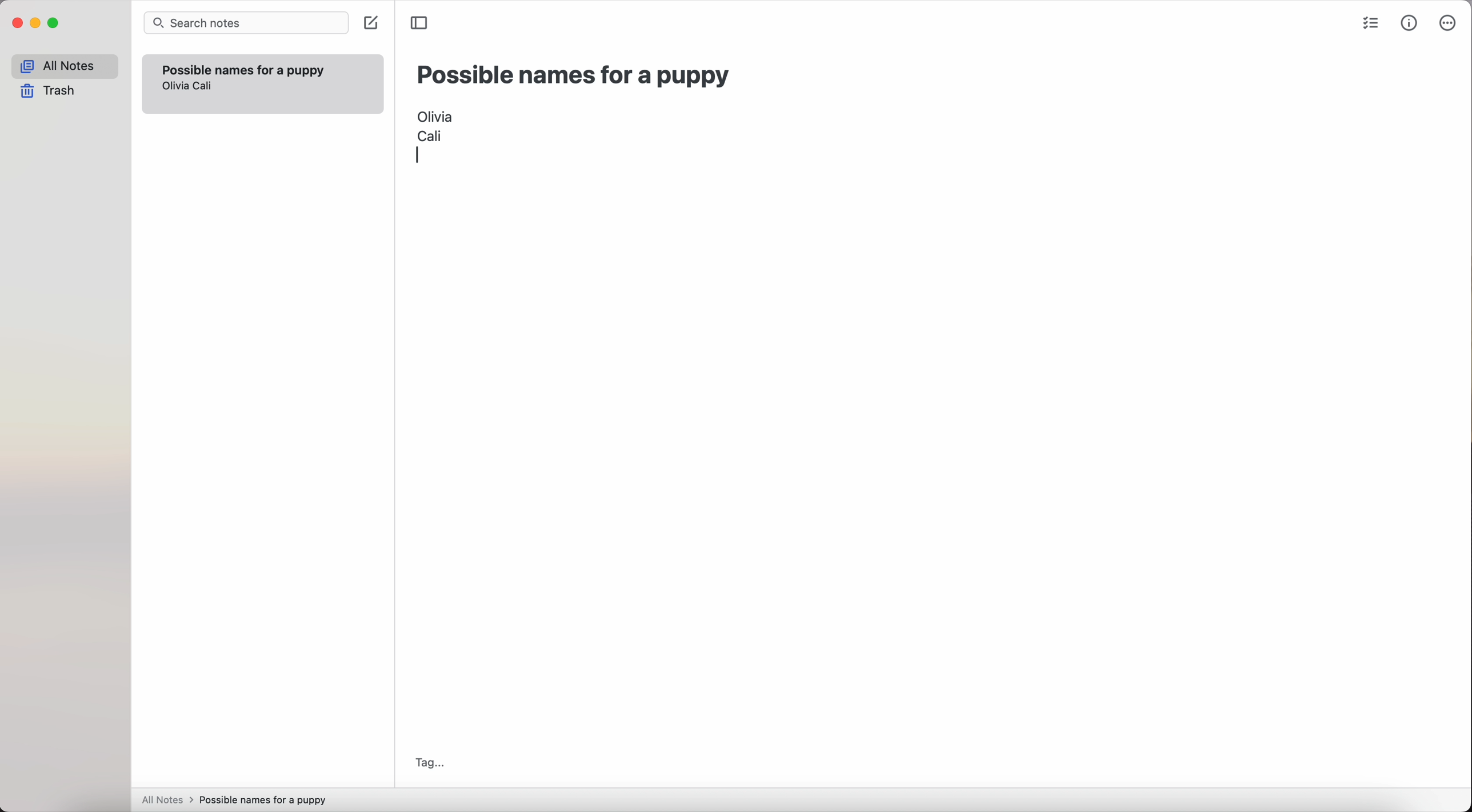  Describe the element at coordinates (177, 86) in the screenshot. I see `olivia` at that location.